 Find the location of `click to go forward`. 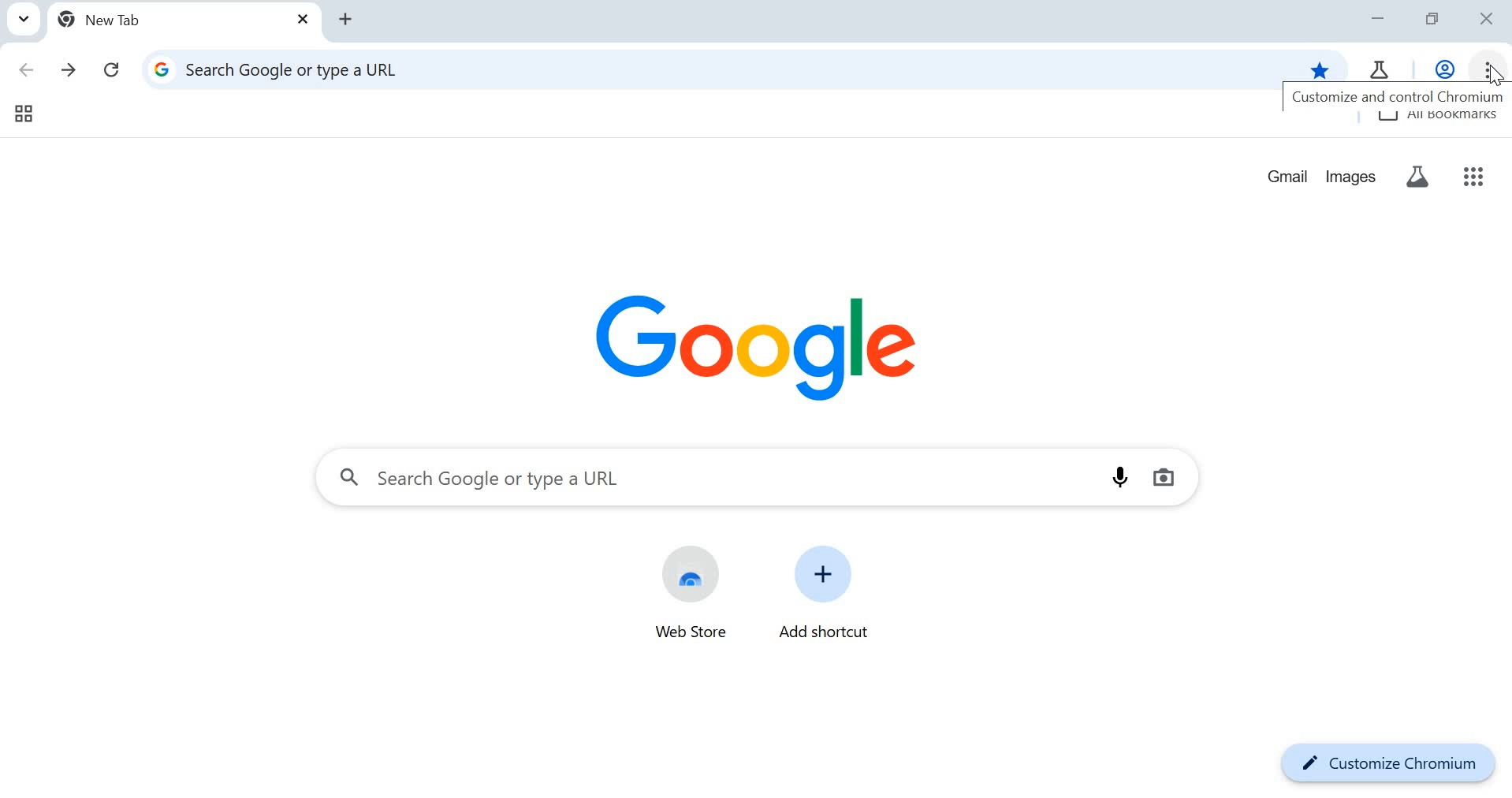

click to go forward is located at coordinates (70, 72).